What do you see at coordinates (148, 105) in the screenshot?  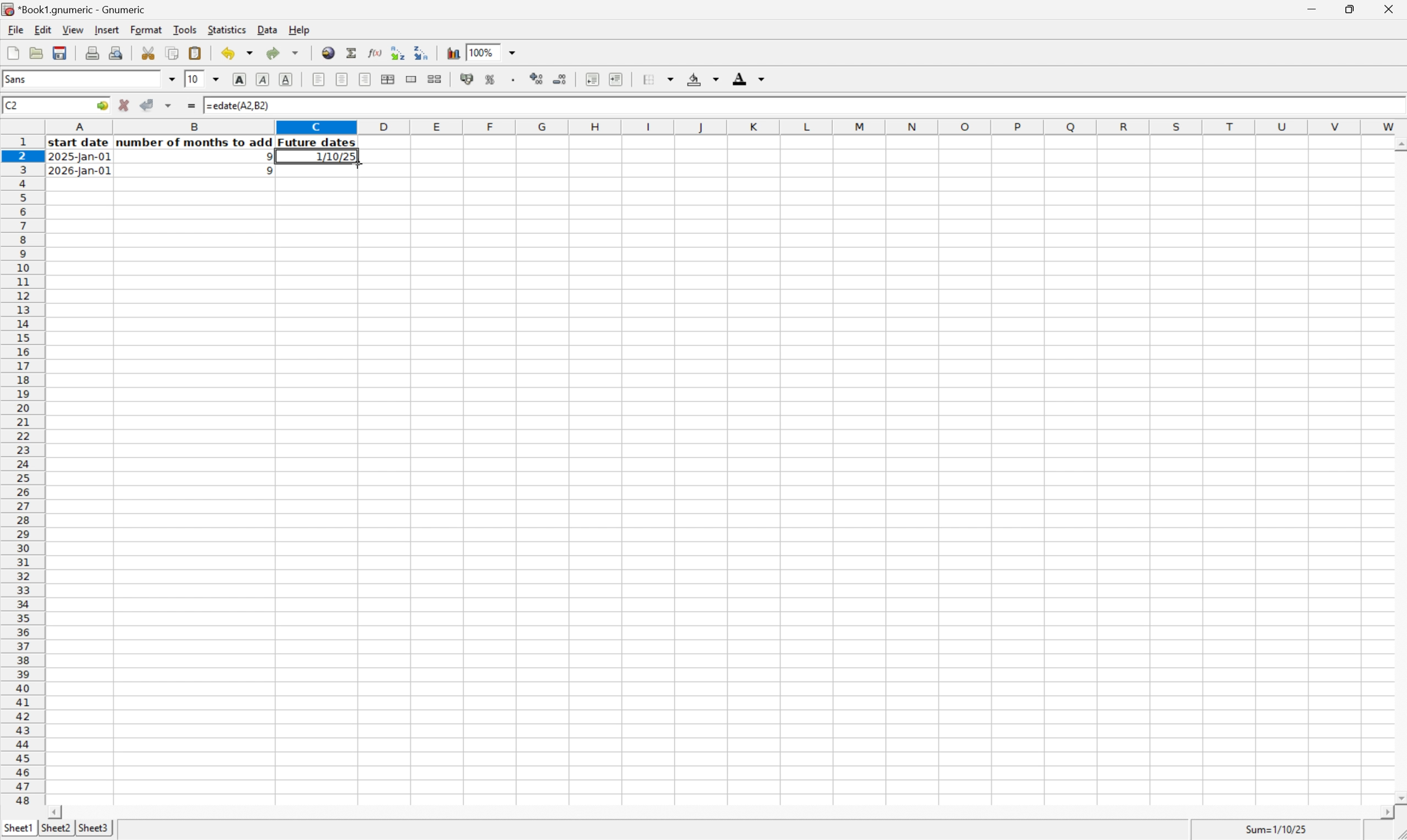 I see `Accept changes` at bounding box center [148, 105].